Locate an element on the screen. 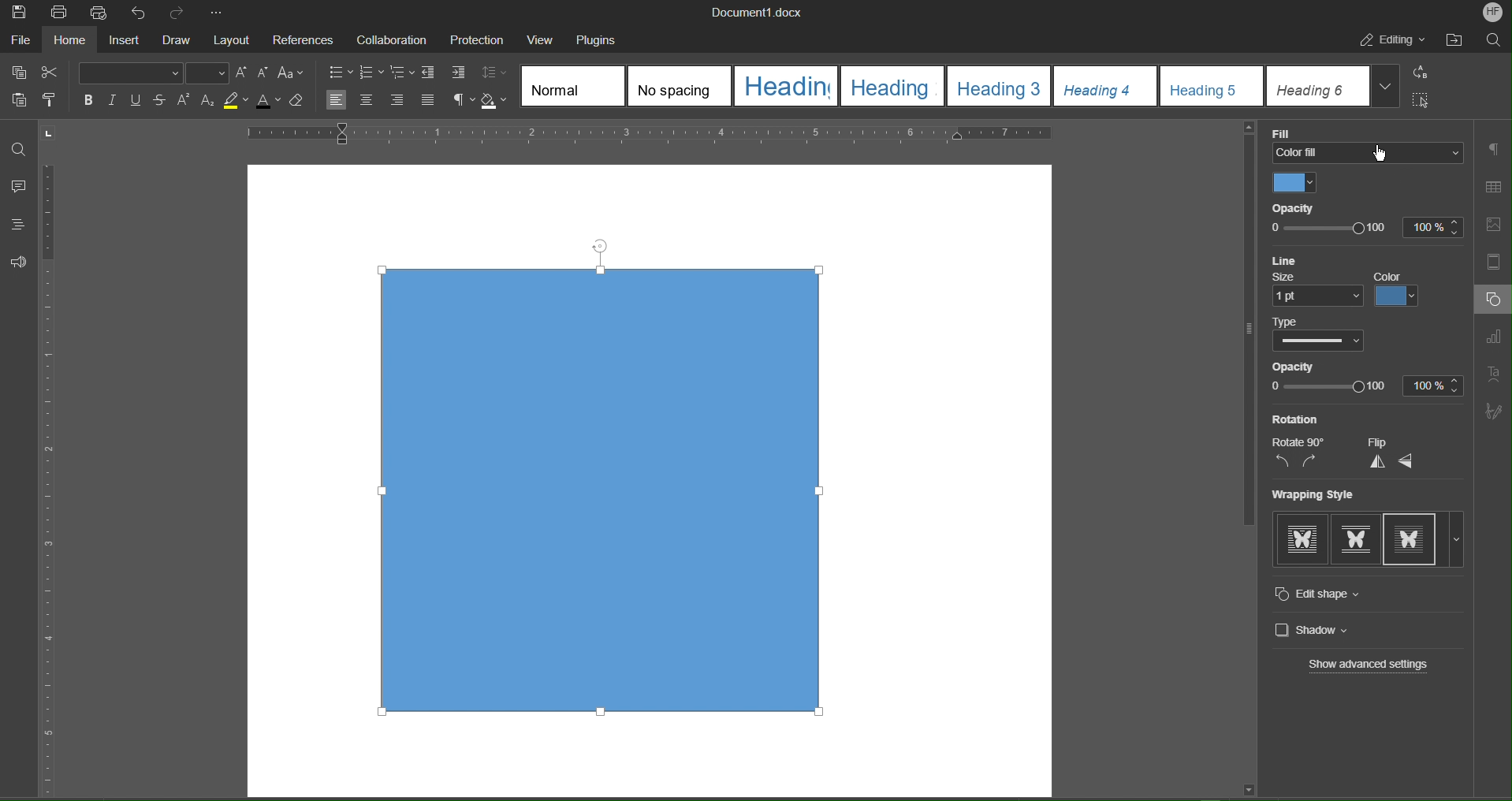 This screenshot has width=1512, height=801. Nested List is located at coordinates (404, 73).